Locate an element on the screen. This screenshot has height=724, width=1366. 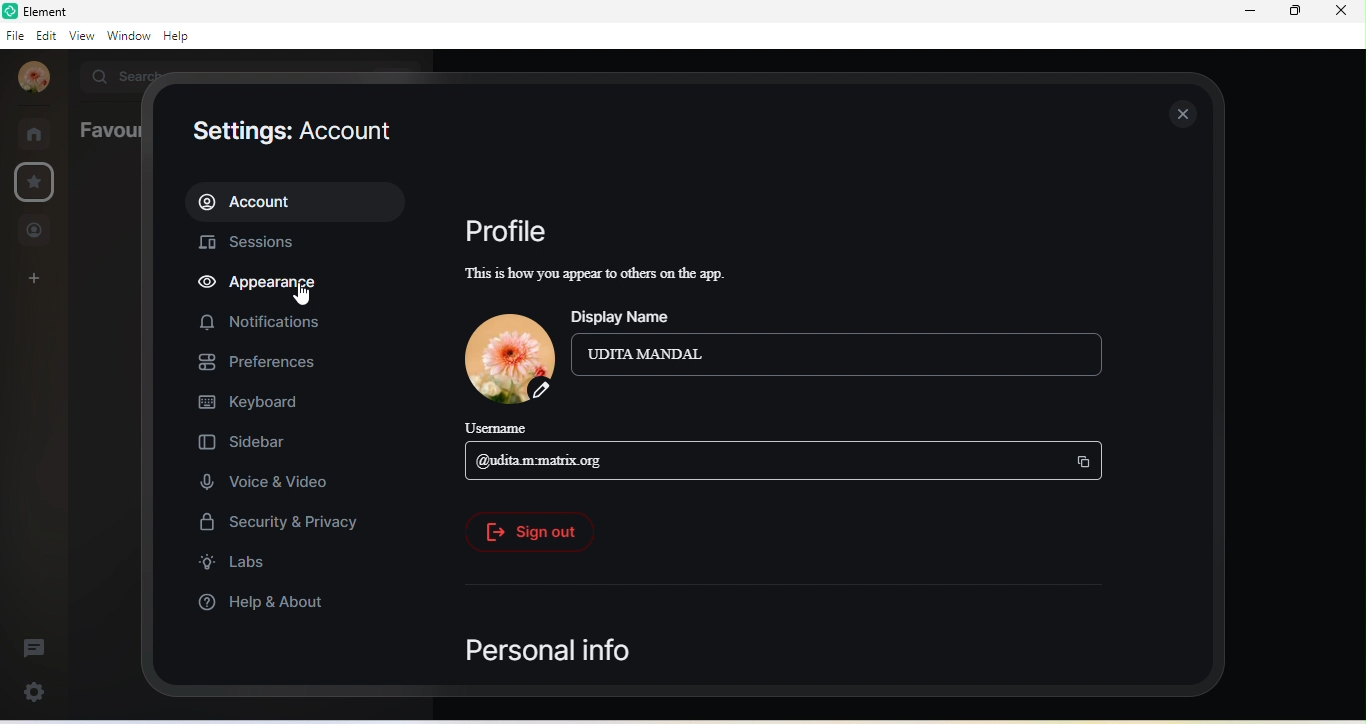
close is located at coordinates (1185, 113).